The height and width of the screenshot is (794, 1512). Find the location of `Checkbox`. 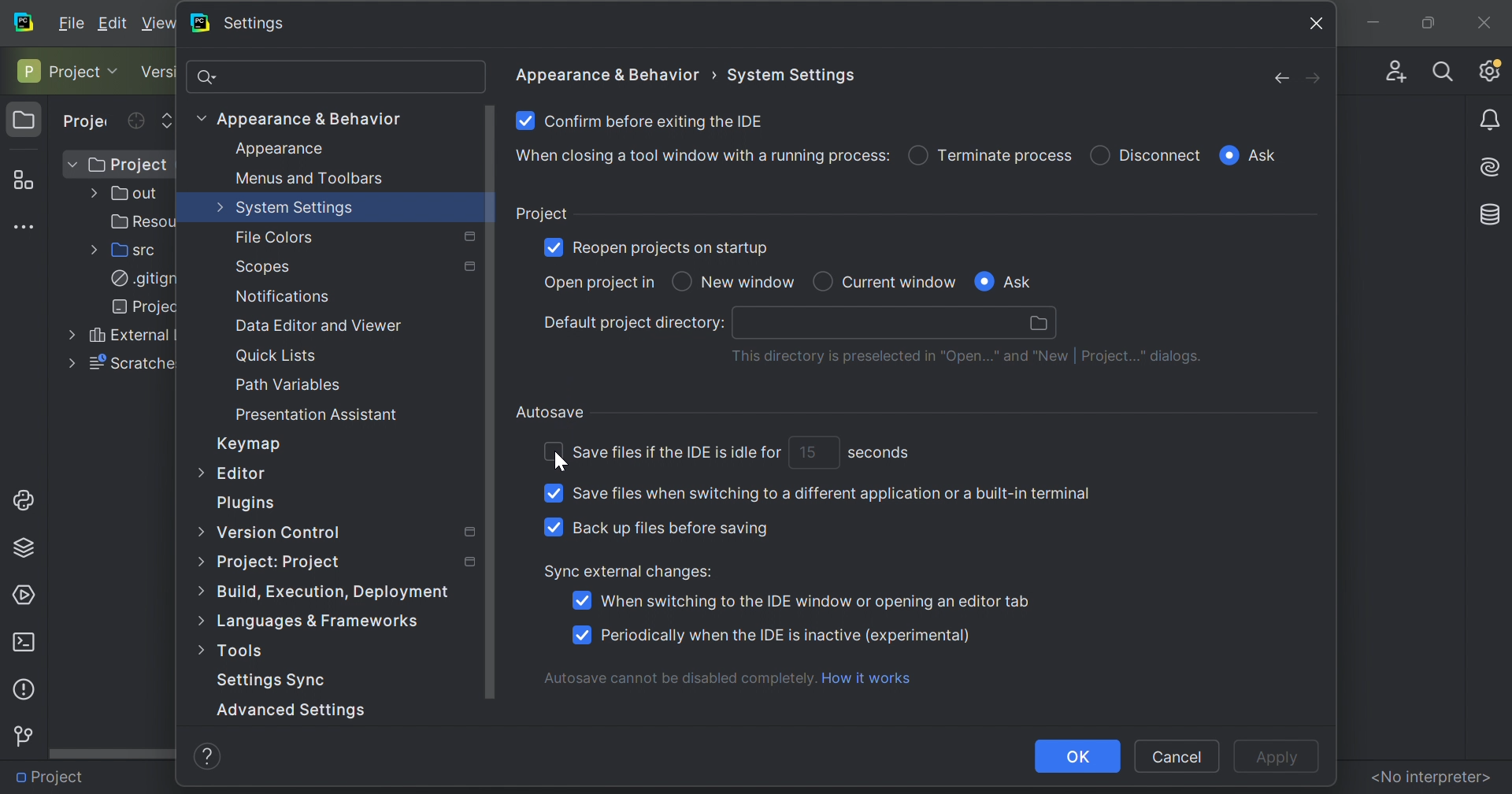

Checkbox is located at coordinates (917, 157).